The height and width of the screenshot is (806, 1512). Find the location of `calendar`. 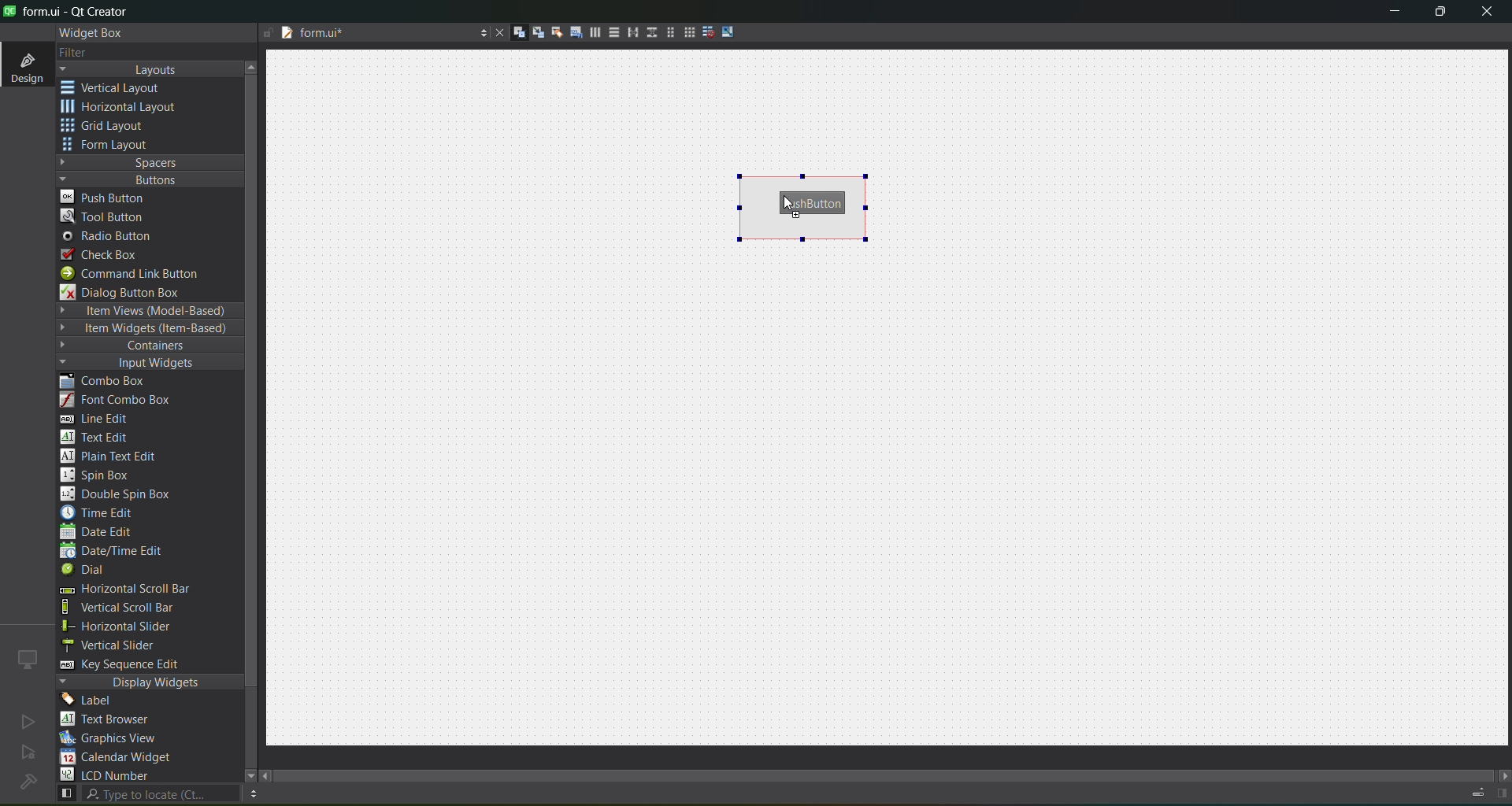

calendar is located at coordinates (118, 759).